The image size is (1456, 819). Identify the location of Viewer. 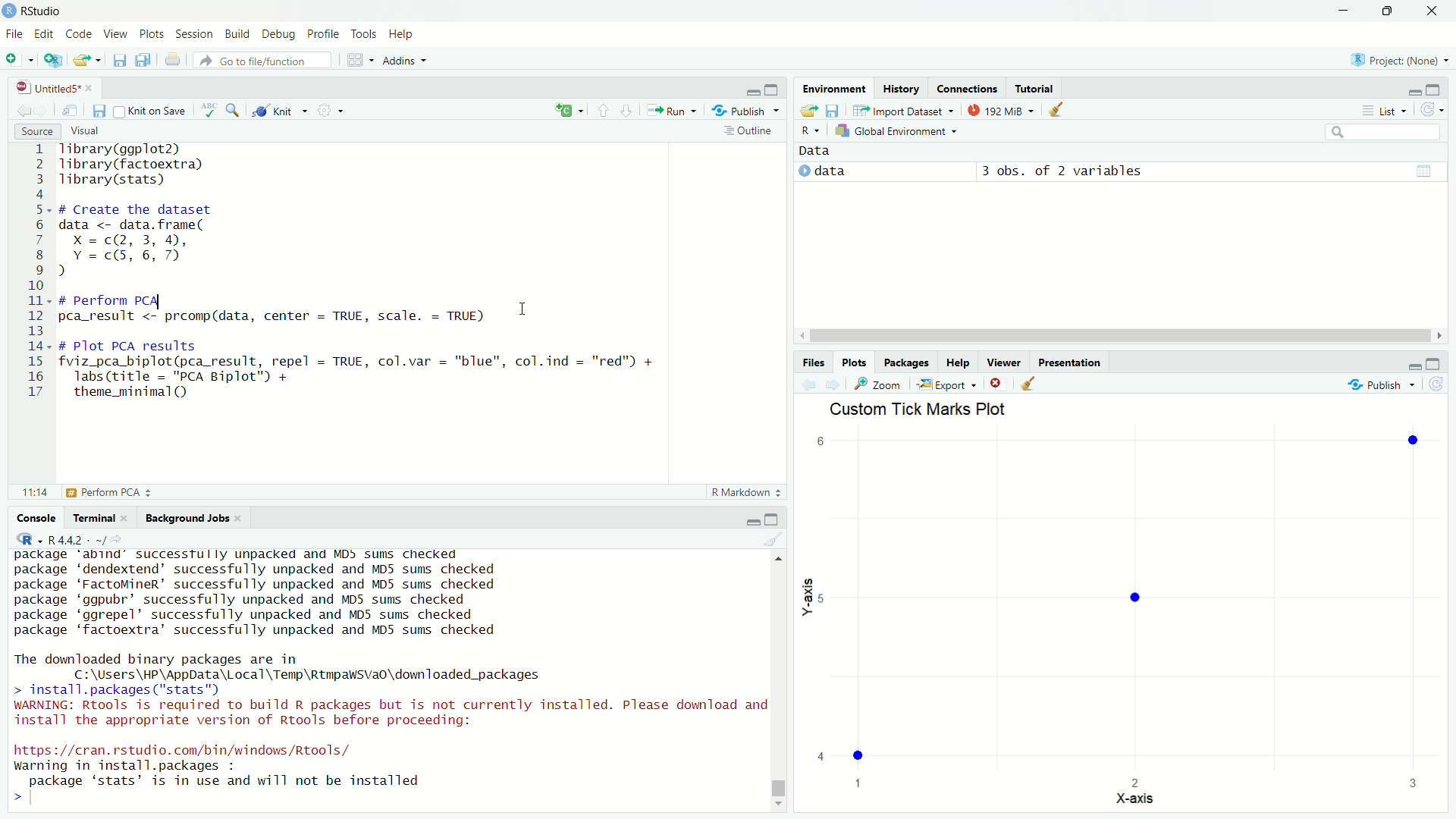
(1005, 362).